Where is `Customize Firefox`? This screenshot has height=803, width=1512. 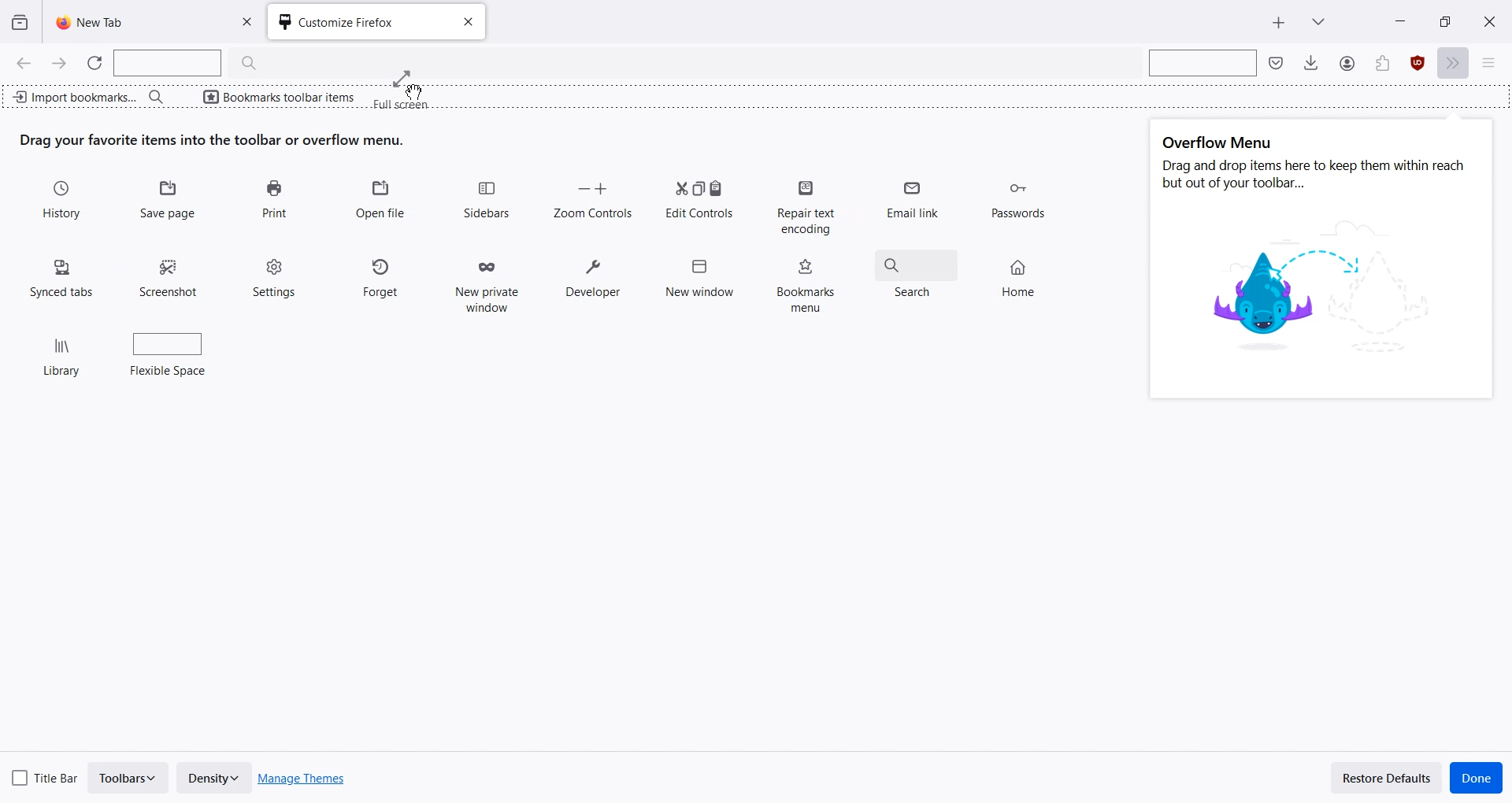 Customize Firefox is located at coordinates (350, 22).